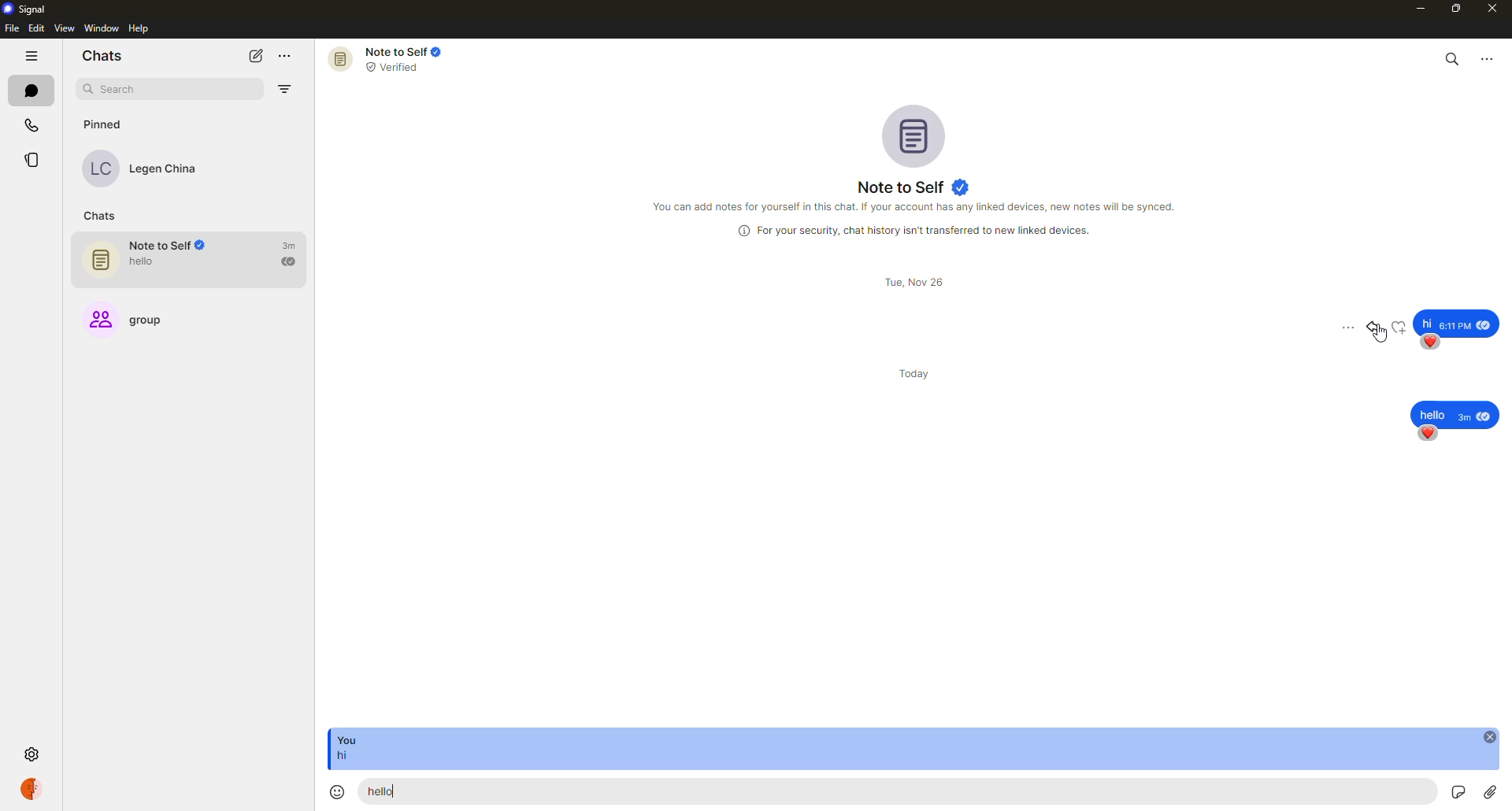 The width and height of the screenshot is (1512, 811). What do you see at coordinates (1452, 10) in the screenshot?
I see `maximize` at bounding box center [1452, 10].